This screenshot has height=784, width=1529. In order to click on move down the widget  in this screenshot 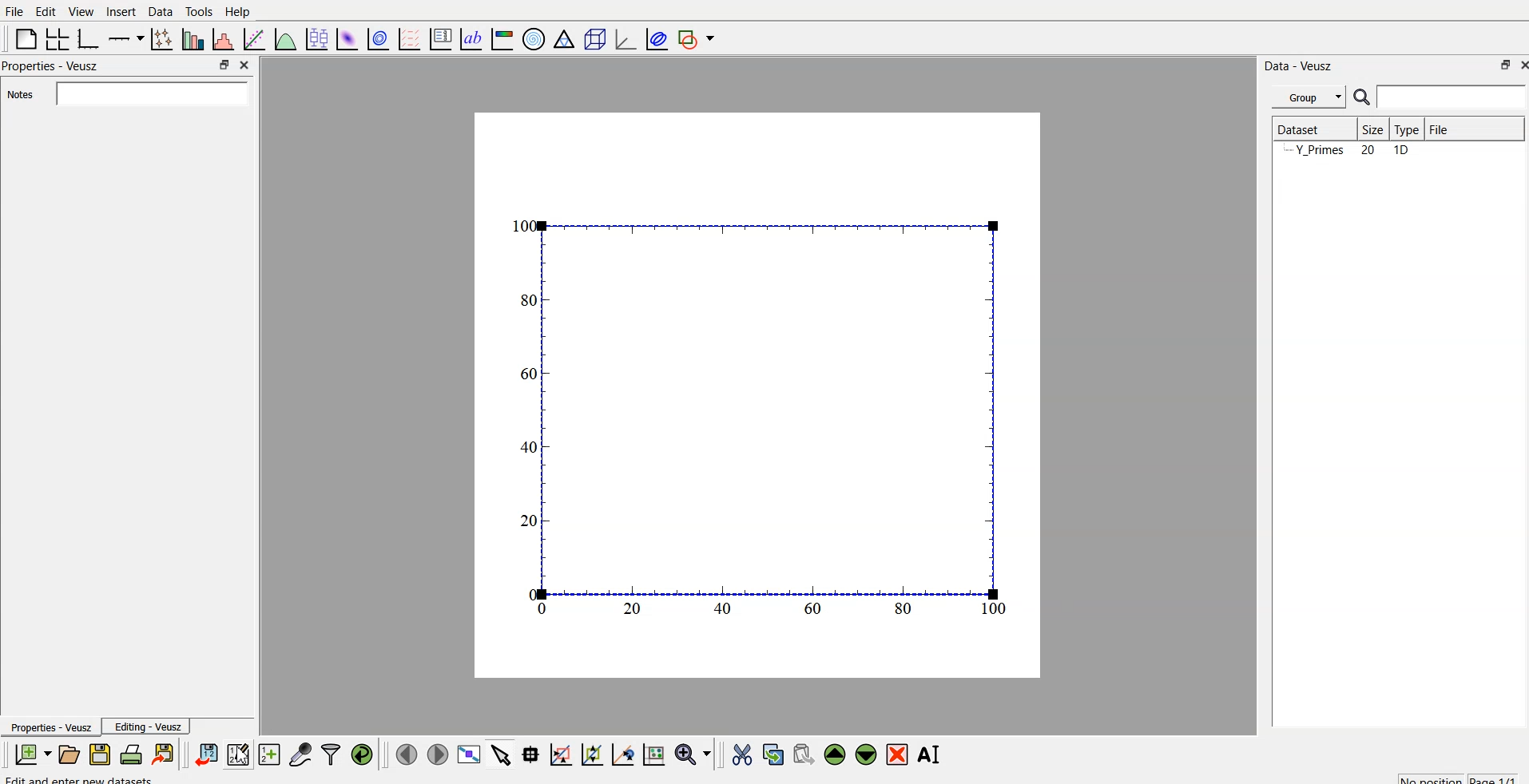, I will do `click(864, 754)`.